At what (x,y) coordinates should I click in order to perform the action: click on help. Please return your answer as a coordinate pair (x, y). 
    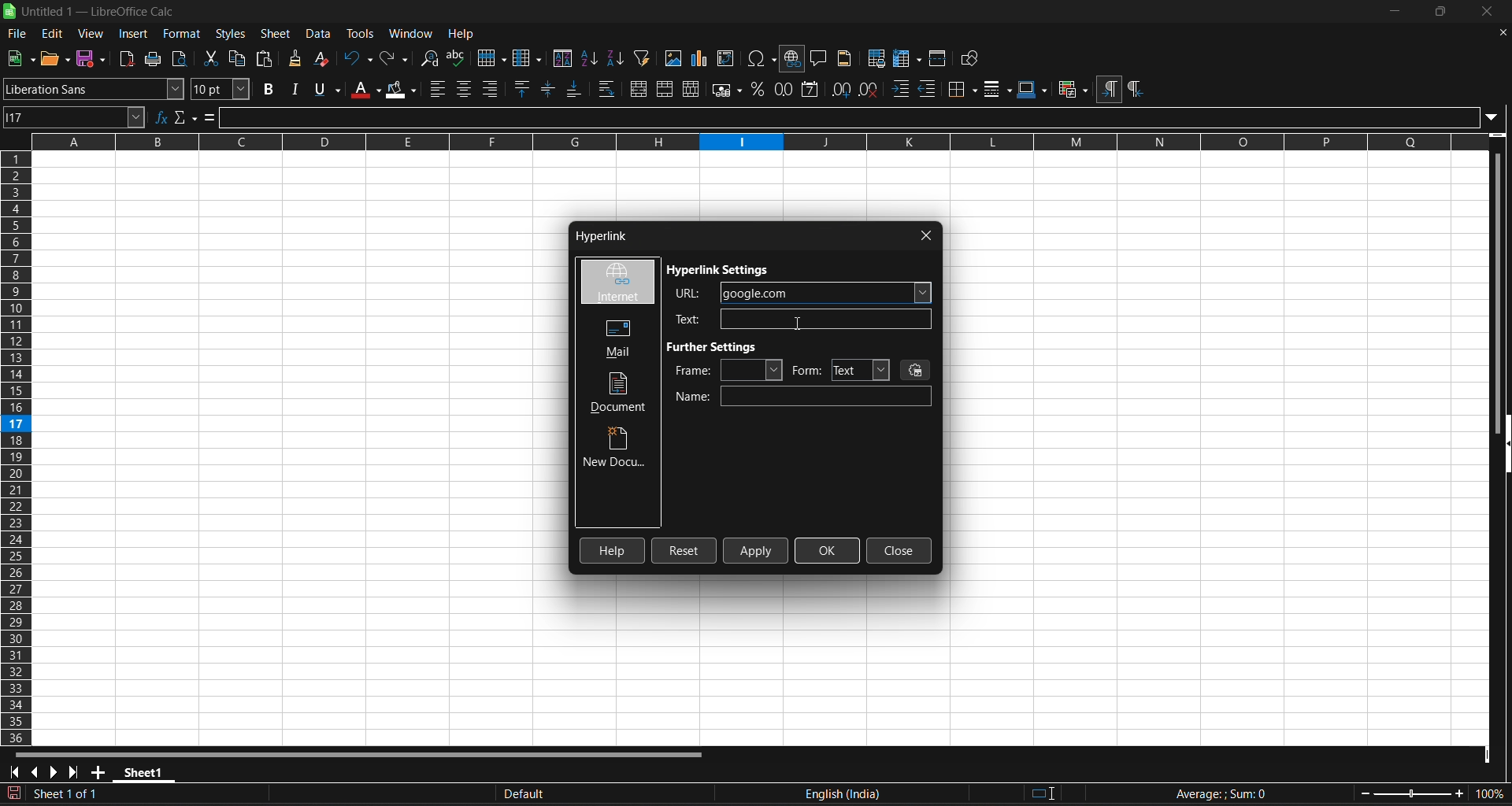
    Looking at the image, I should click on (461, 32).